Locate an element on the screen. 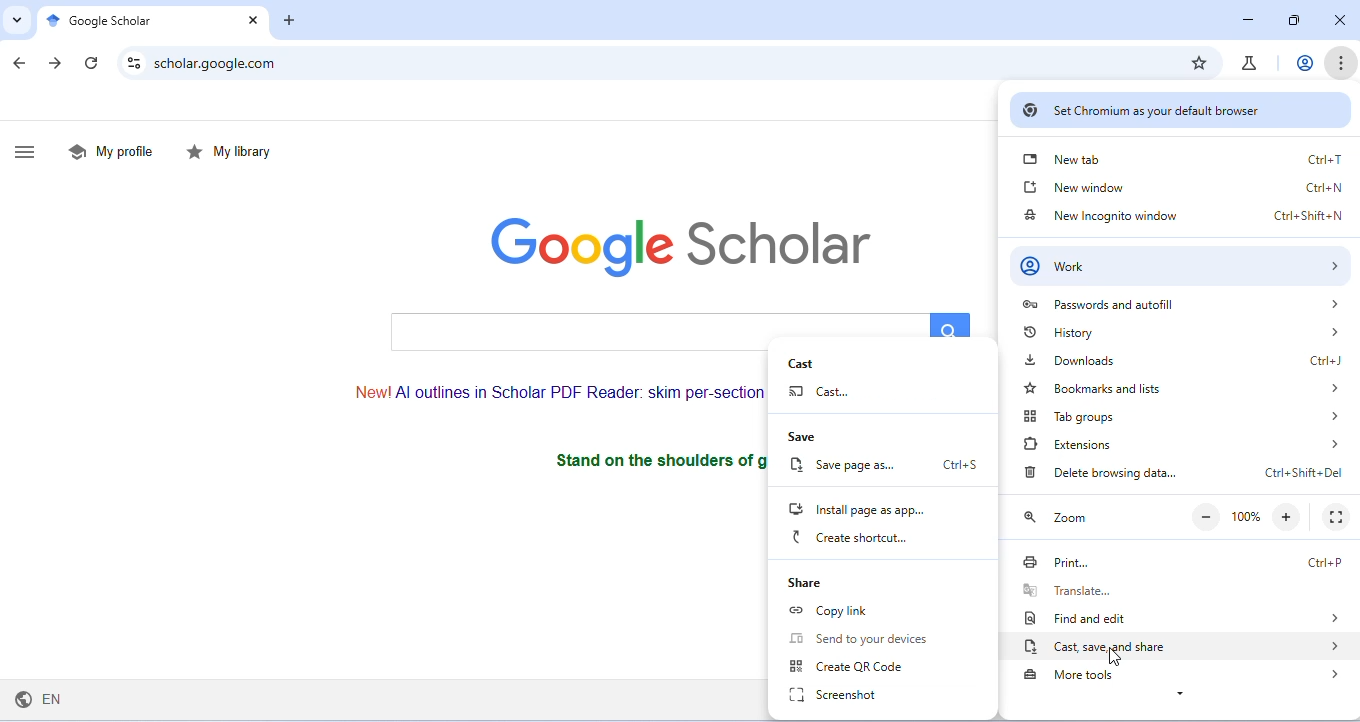  cursor movement is located at coordinates (1117, 655).